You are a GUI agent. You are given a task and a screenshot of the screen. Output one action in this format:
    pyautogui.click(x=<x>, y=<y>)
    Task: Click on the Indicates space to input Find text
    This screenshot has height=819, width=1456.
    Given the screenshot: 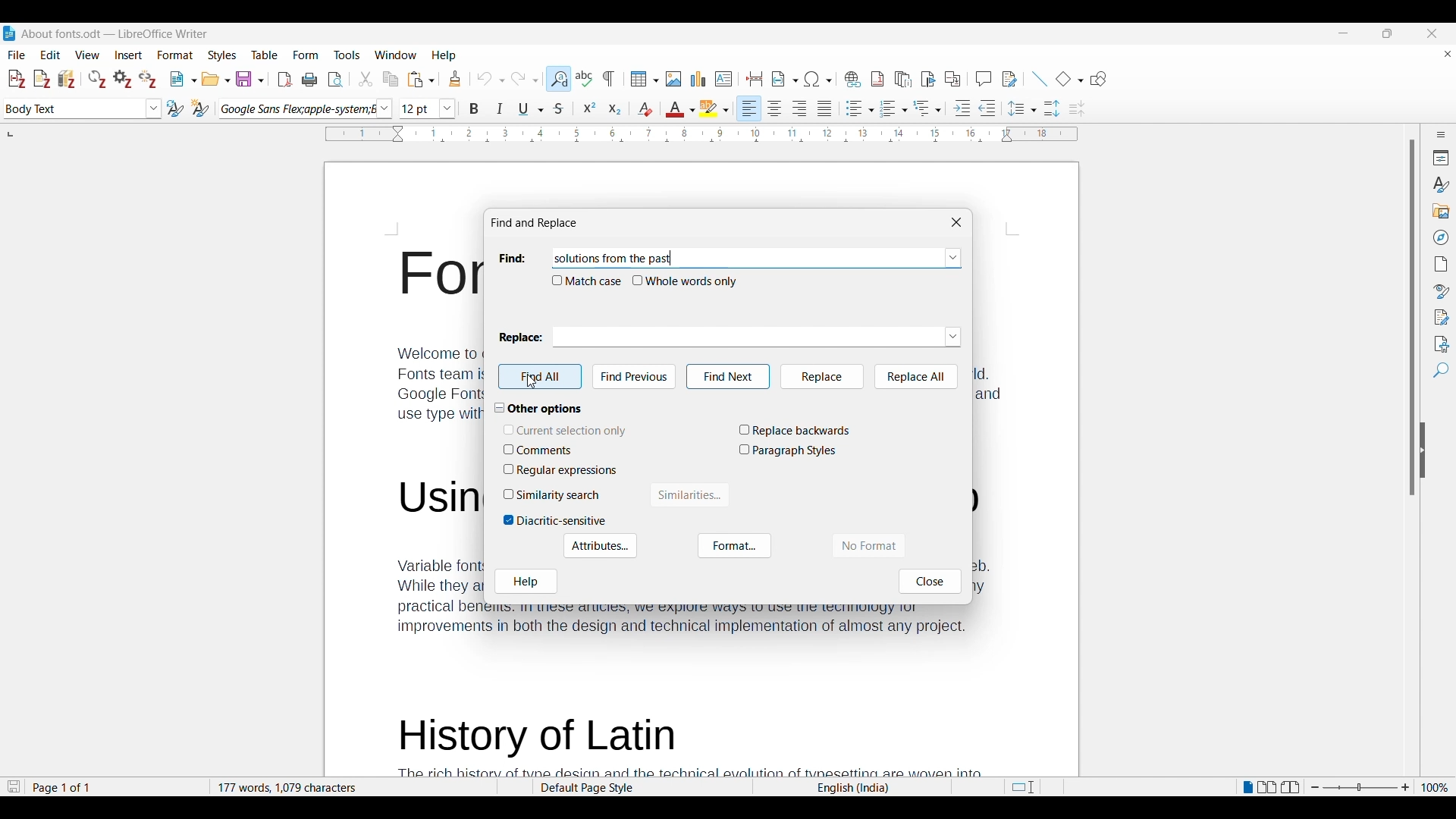 What is the action you would take?
    pyautogui.click(x=514, y=259)
    